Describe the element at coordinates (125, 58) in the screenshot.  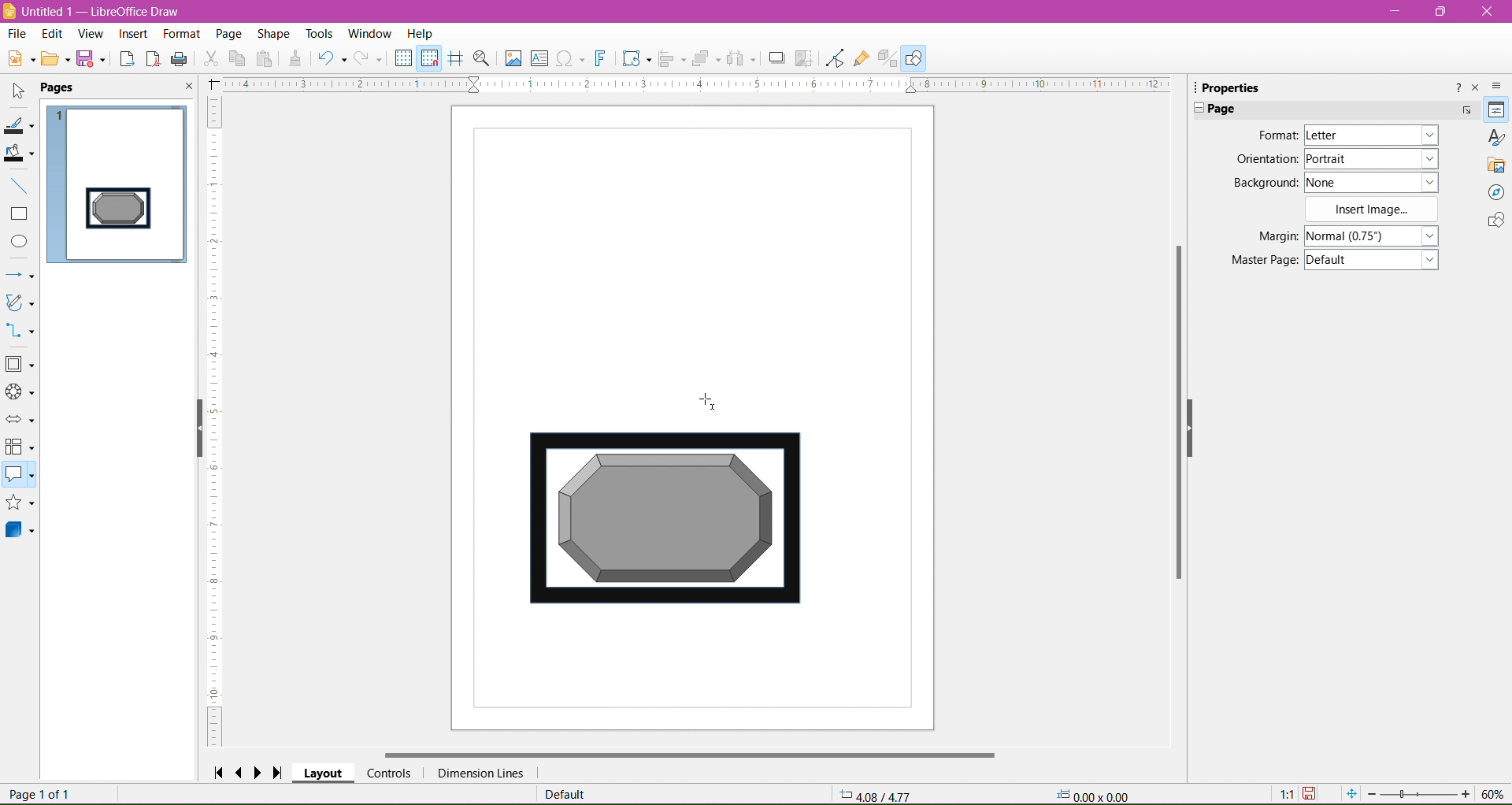
I see `Export` at that location.